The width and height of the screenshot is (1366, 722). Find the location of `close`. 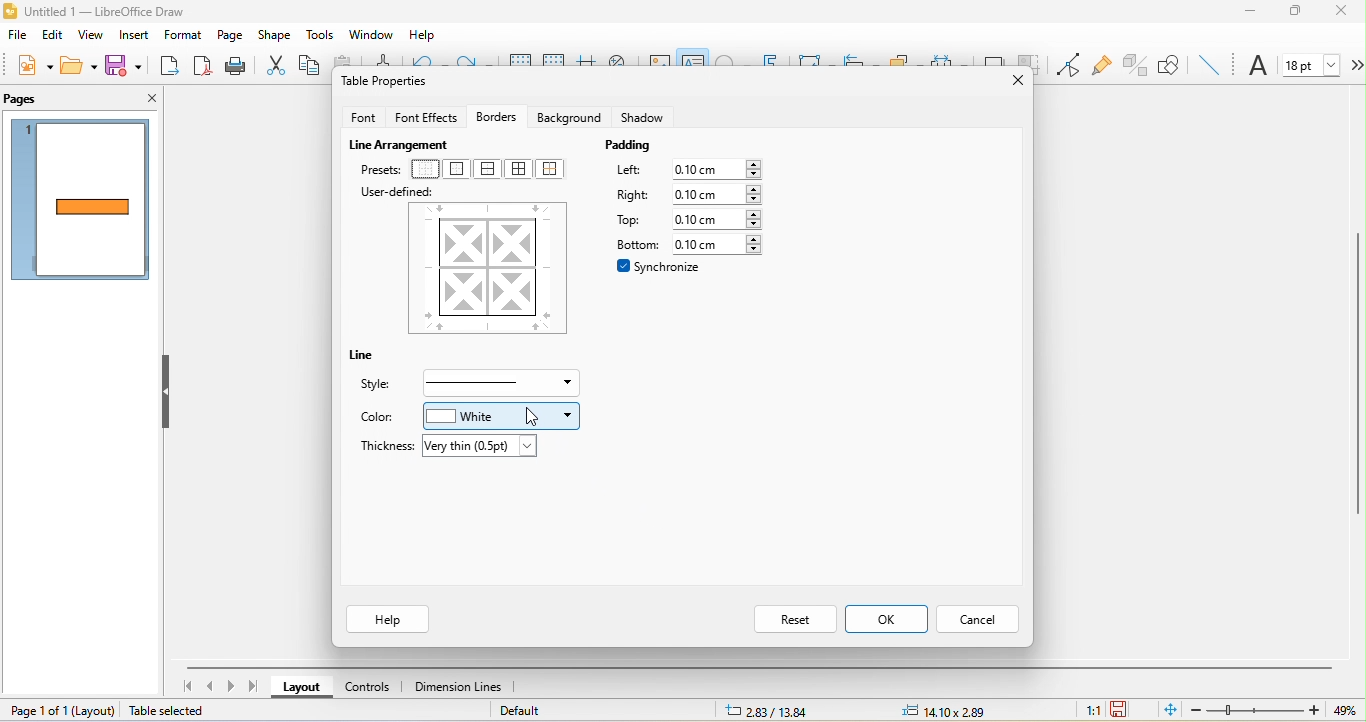

close is located at coordinates (1012, 77).